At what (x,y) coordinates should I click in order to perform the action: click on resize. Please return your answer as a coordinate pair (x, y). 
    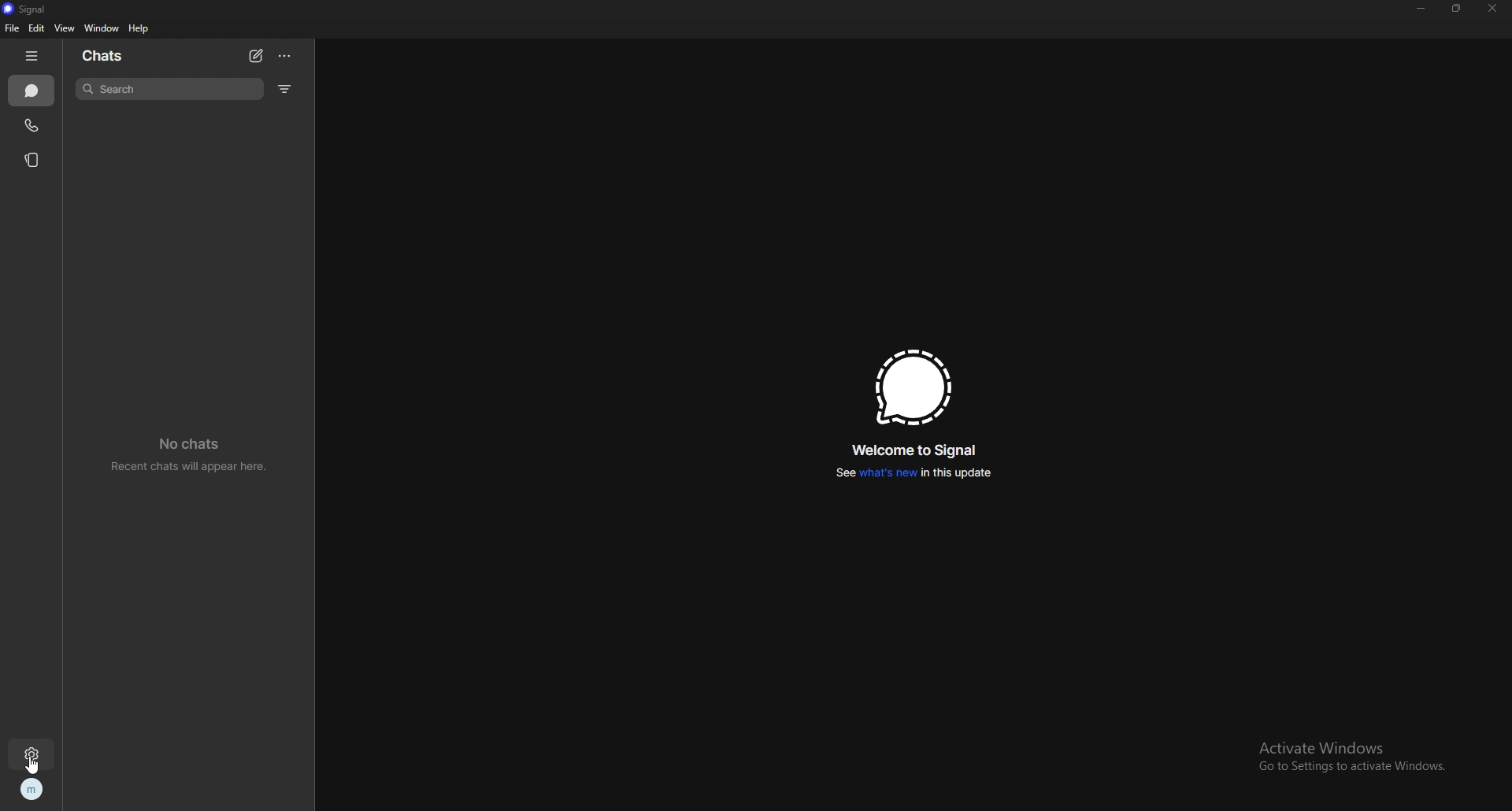
    Looking at the image, I should click on (1457, 7).